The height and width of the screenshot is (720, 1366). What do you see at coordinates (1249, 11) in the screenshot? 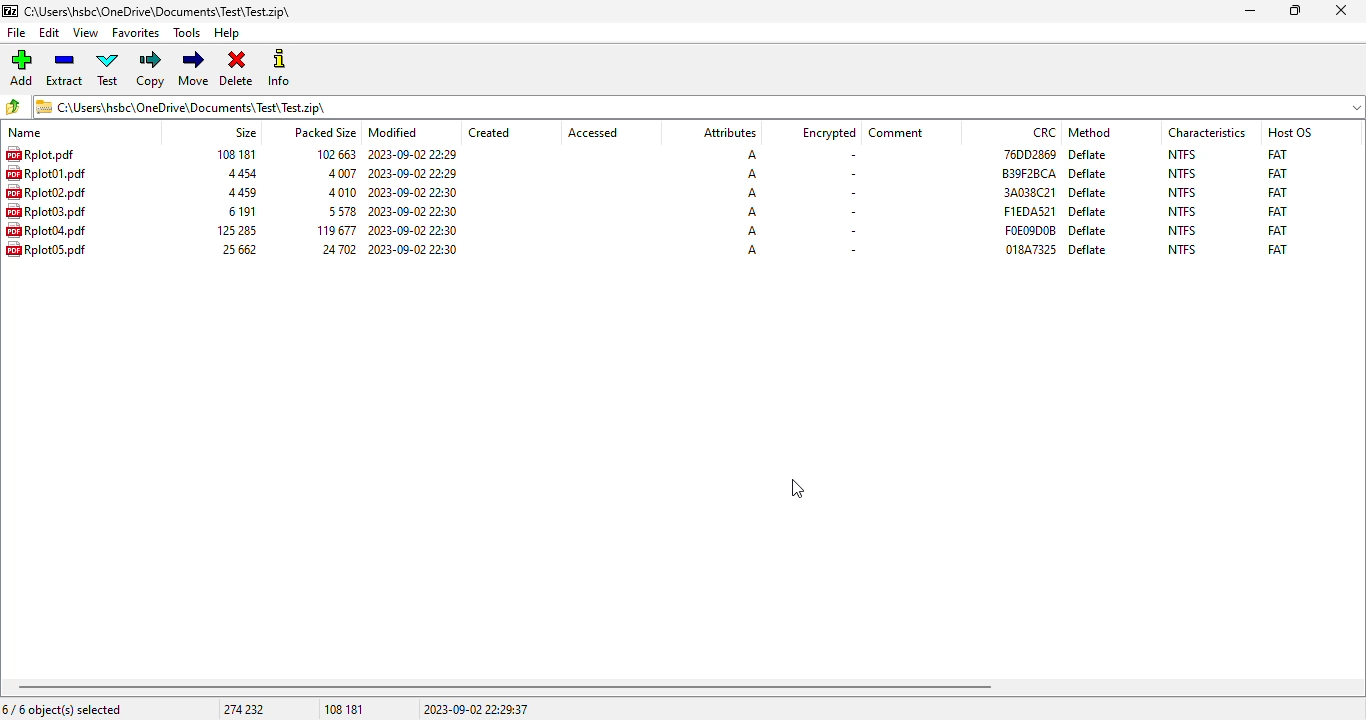
I see `minimize` at bounding box center [1249, 11].